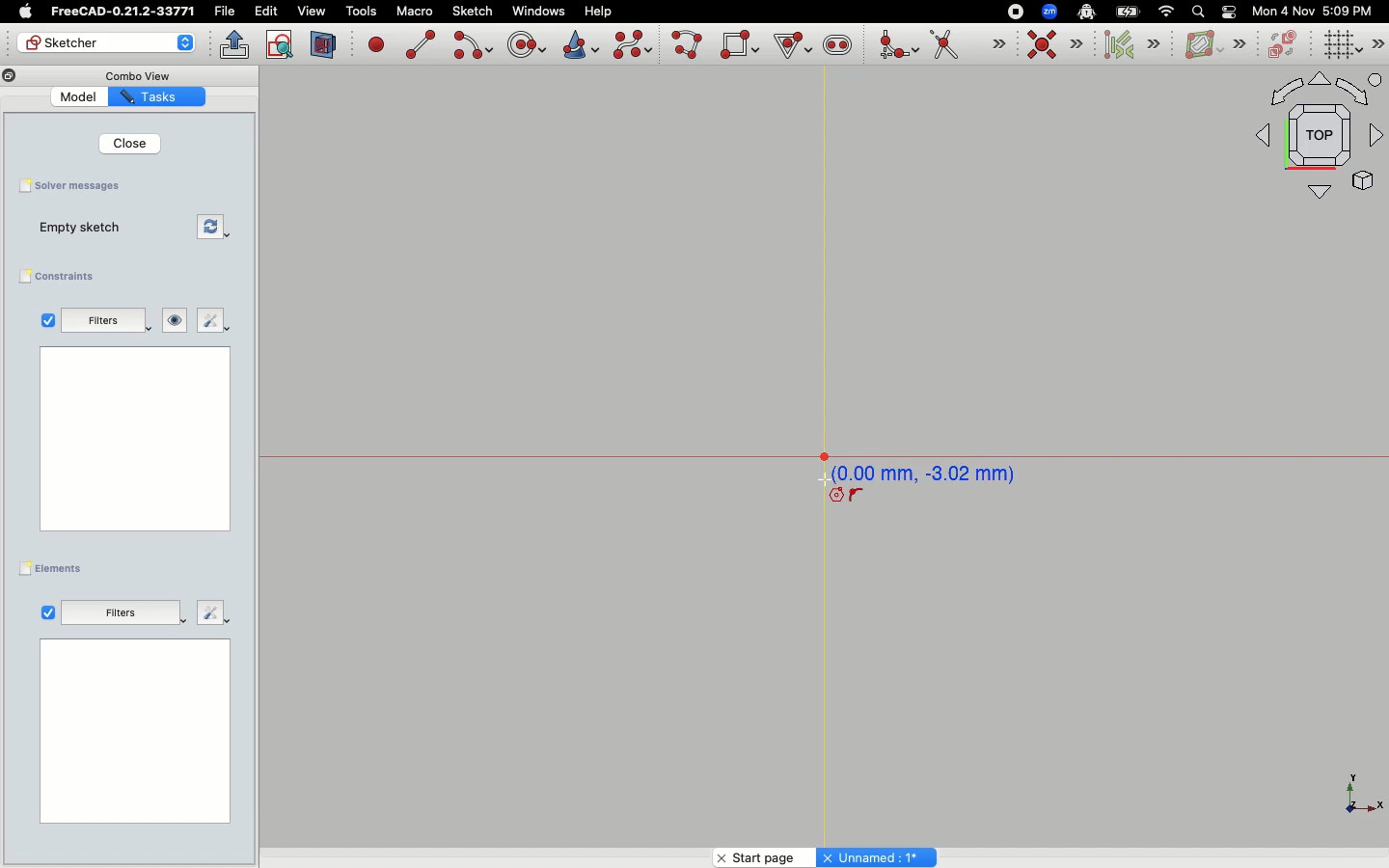 The width and height of the screenshot is (1389, 868). What do you see at coordinates (1050, 12) in the screenshot?
I see `Zoom` at bounding box center [1050, 12].